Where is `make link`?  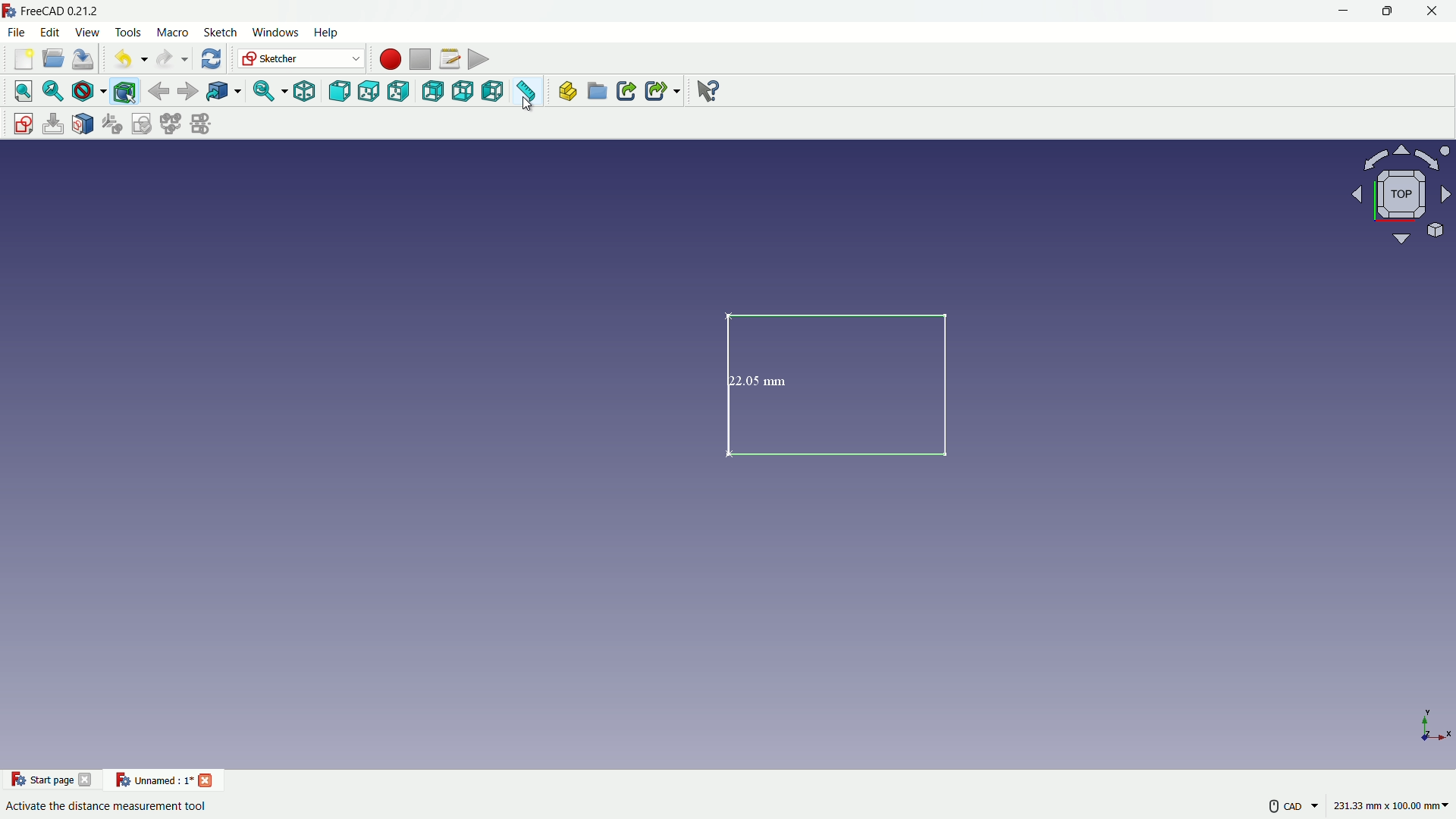
make link is located at coordinates (626, 93).